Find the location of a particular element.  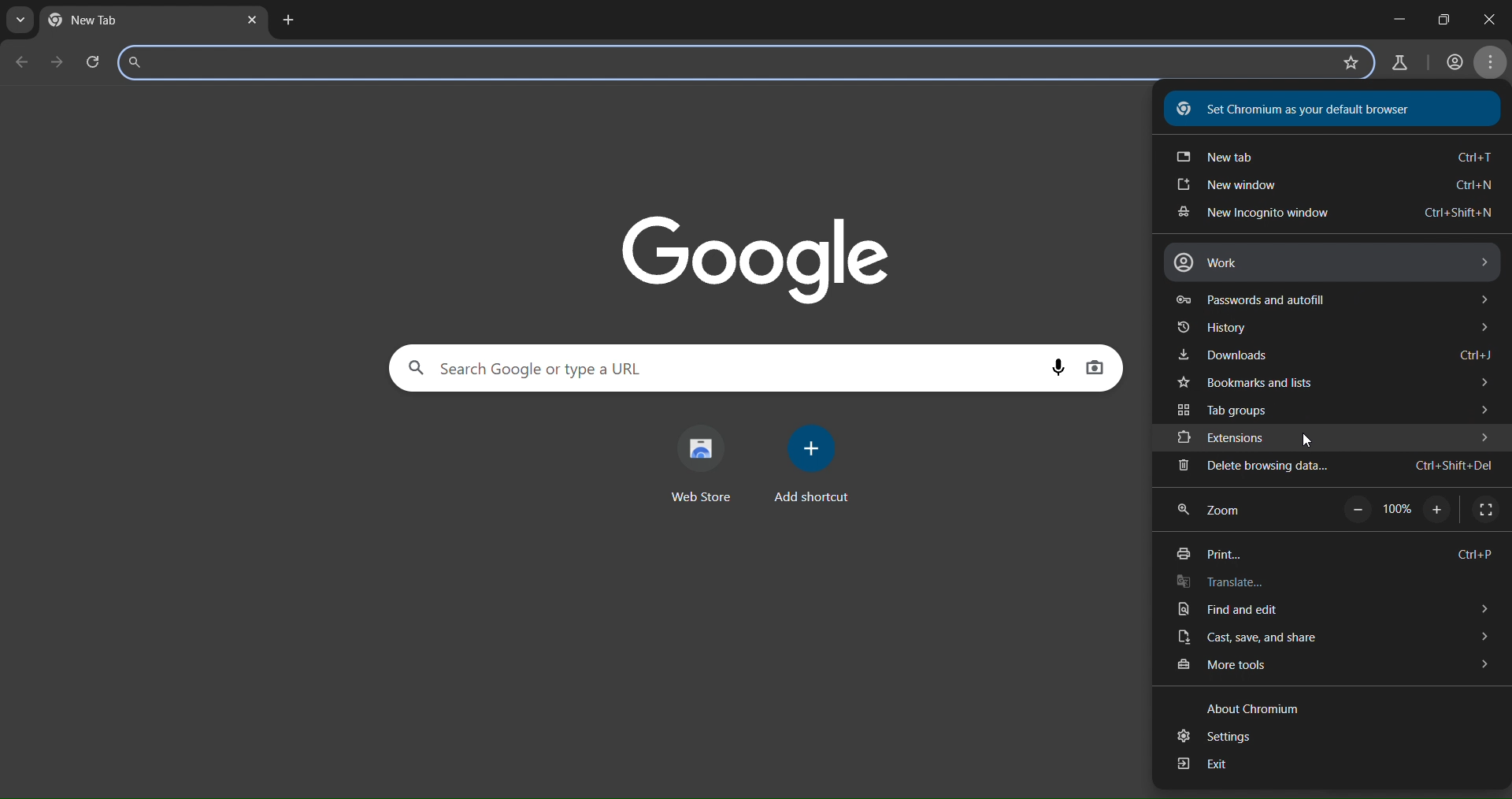

zoom in is located at coordinates (1433, 511).